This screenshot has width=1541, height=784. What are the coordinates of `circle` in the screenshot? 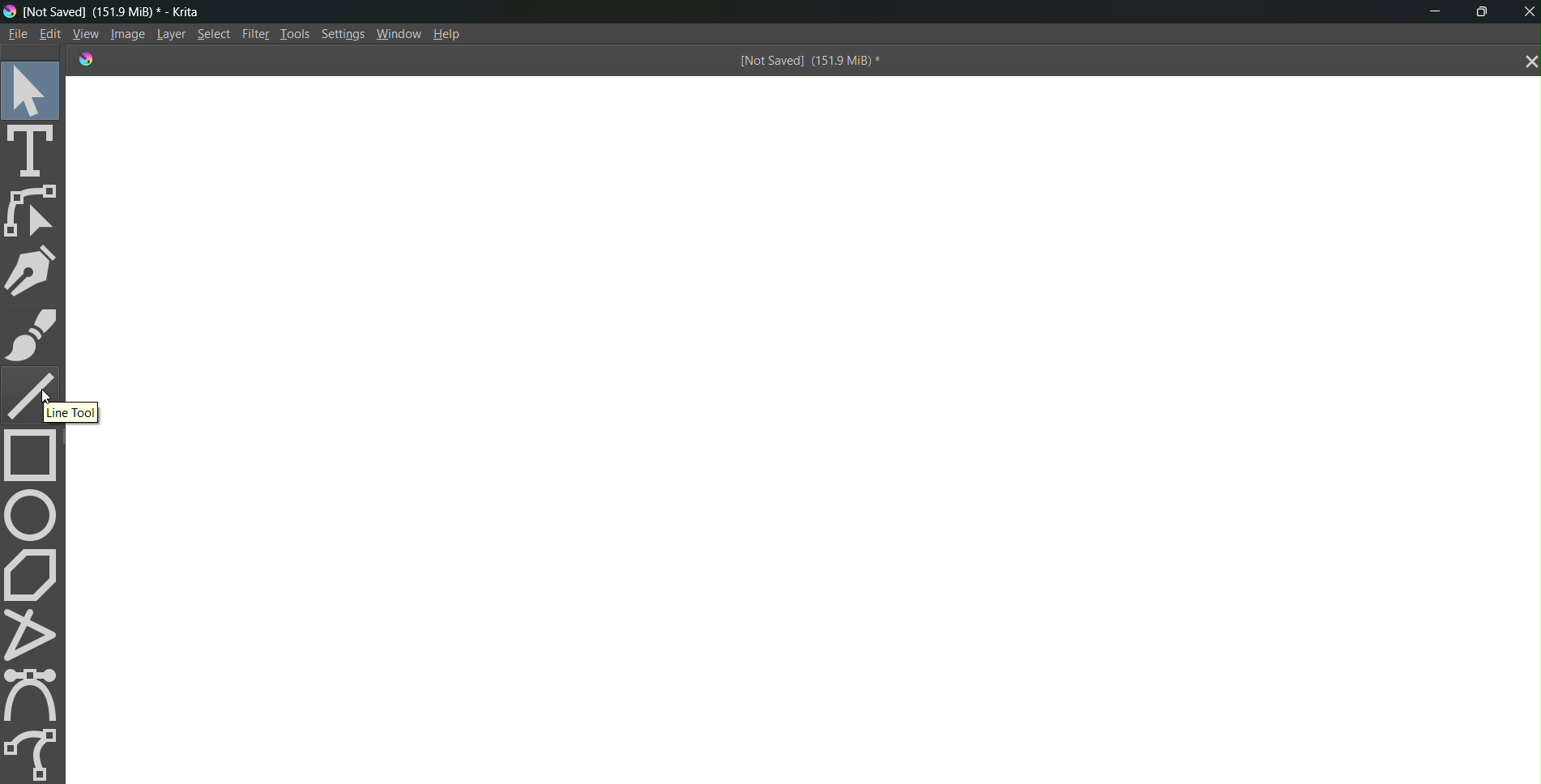 It's located at (32, 514).